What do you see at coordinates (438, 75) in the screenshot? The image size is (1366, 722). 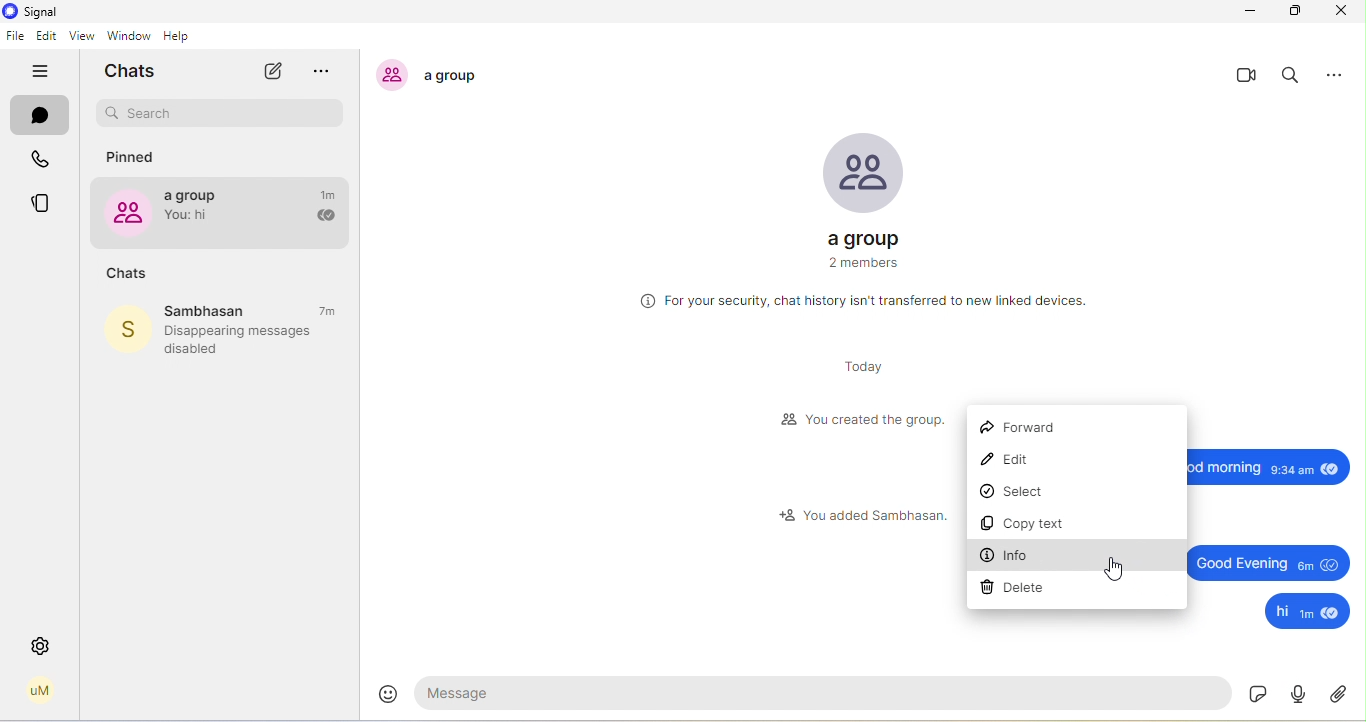 I see `a group` at bounding box center [438, 75].